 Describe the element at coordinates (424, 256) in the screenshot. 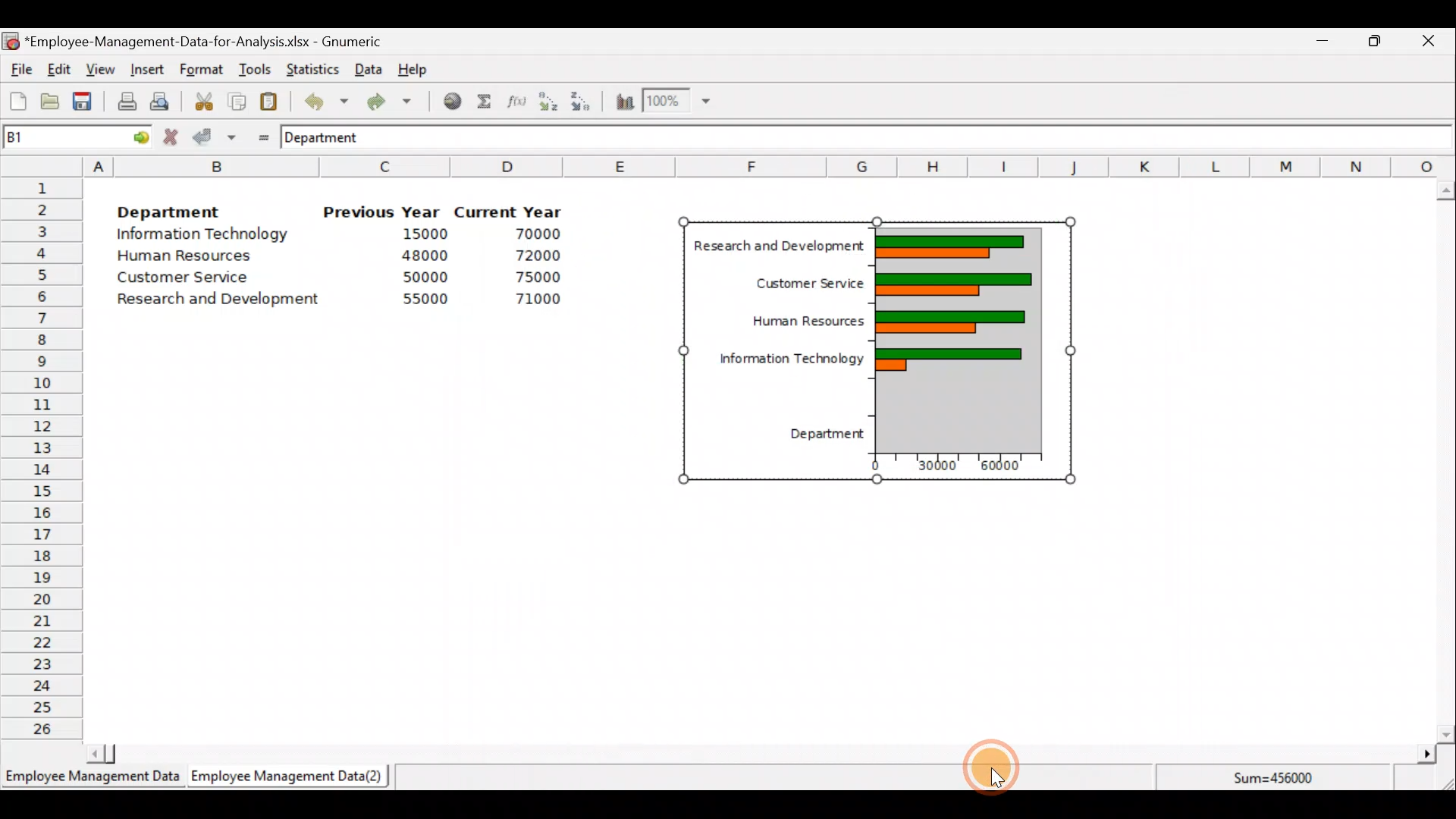

I see `48000` at that location.